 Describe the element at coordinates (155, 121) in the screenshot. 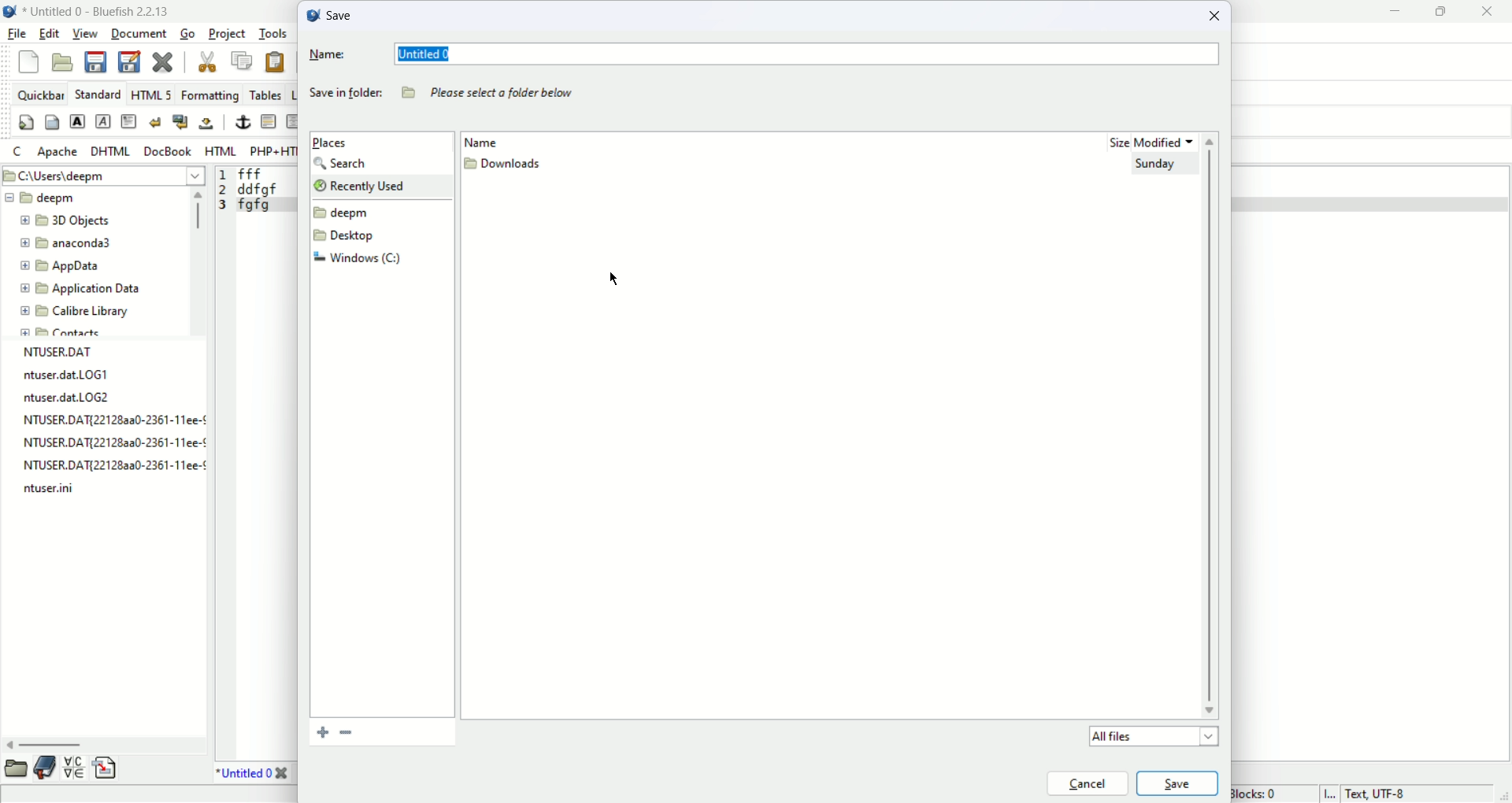

I see `break` at that location.